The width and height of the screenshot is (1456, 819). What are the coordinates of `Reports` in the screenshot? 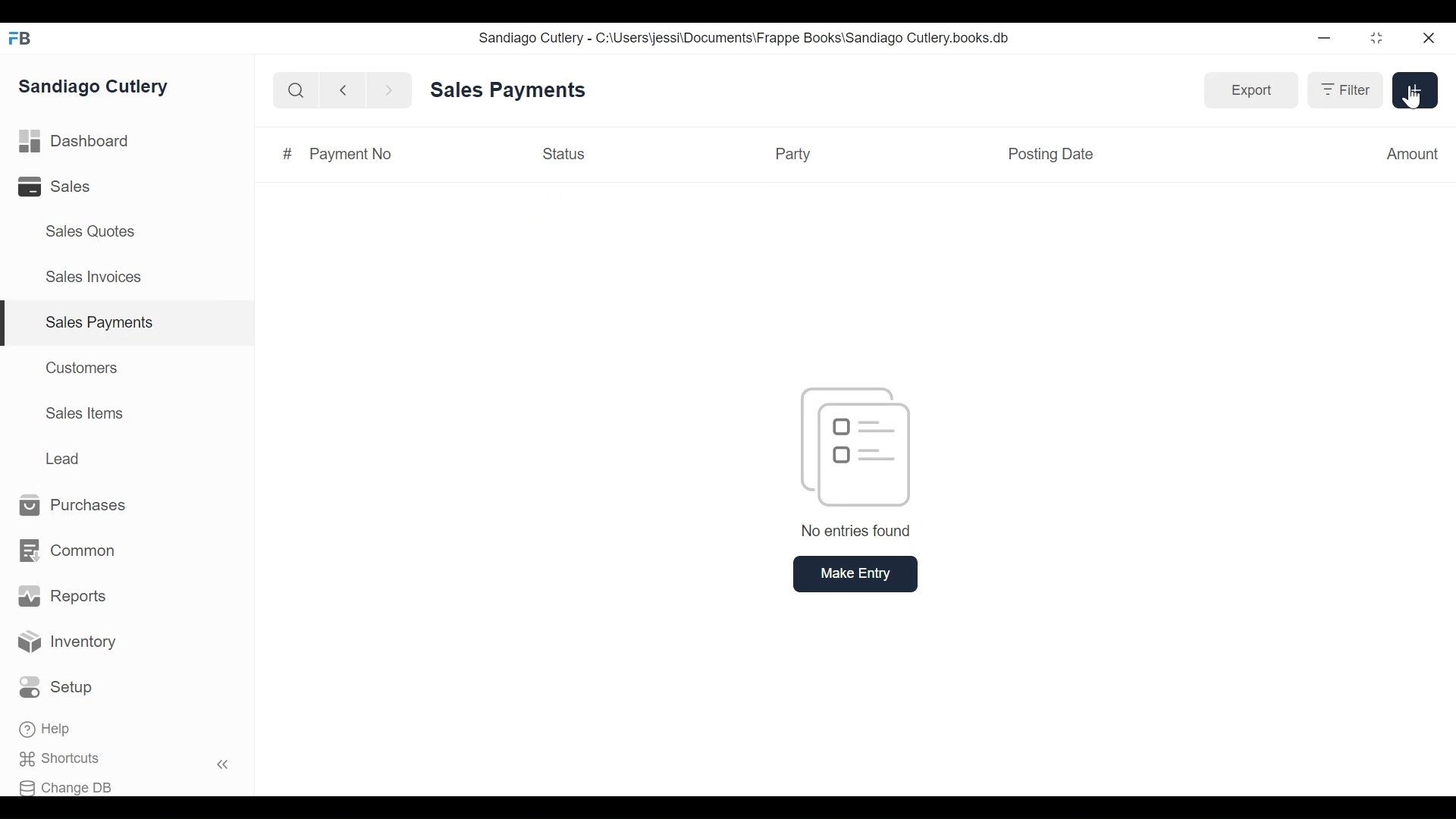 It's located at (62, 596).